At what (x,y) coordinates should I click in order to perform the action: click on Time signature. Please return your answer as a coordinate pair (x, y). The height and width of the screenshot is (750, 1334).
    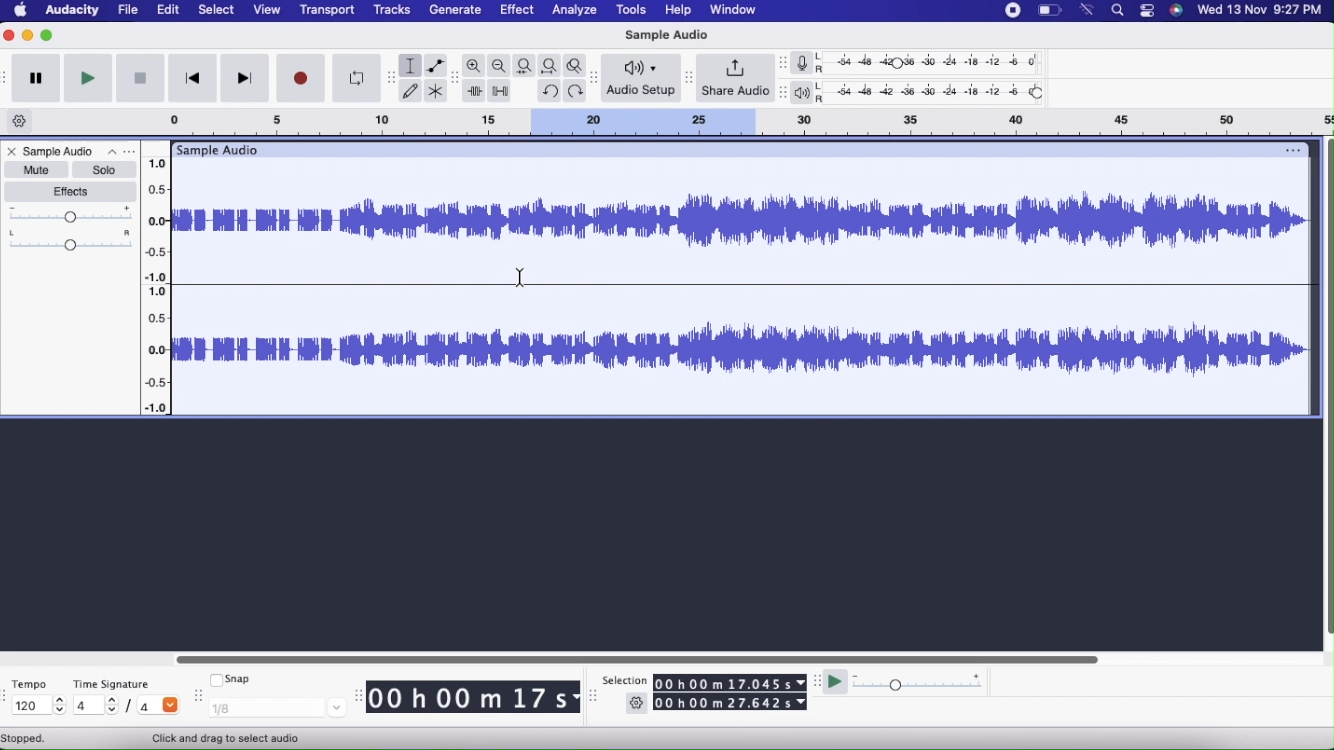
    Looking at the image, I should click on (118, 680).